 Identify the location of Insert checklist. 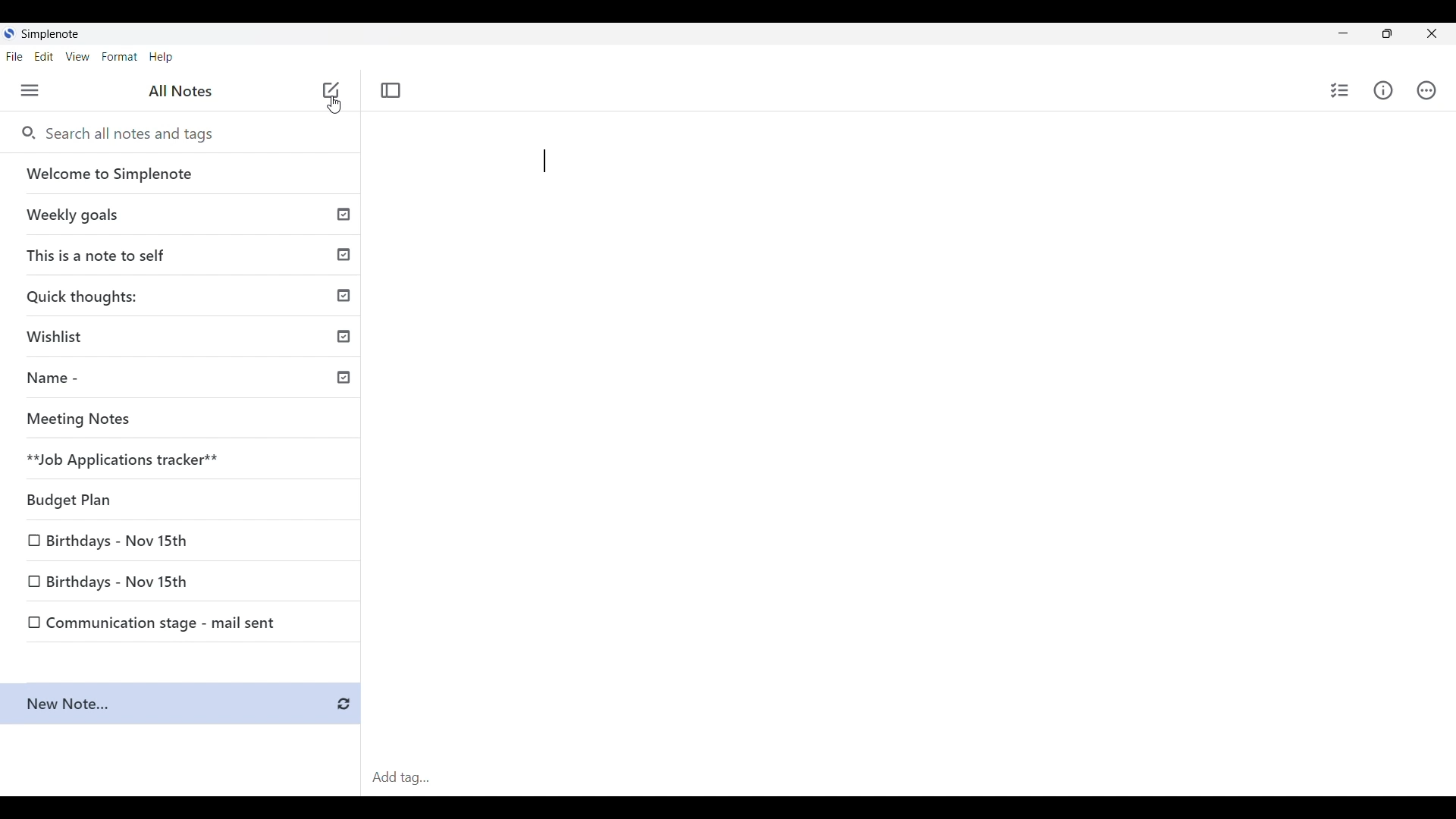
(1341, 90).